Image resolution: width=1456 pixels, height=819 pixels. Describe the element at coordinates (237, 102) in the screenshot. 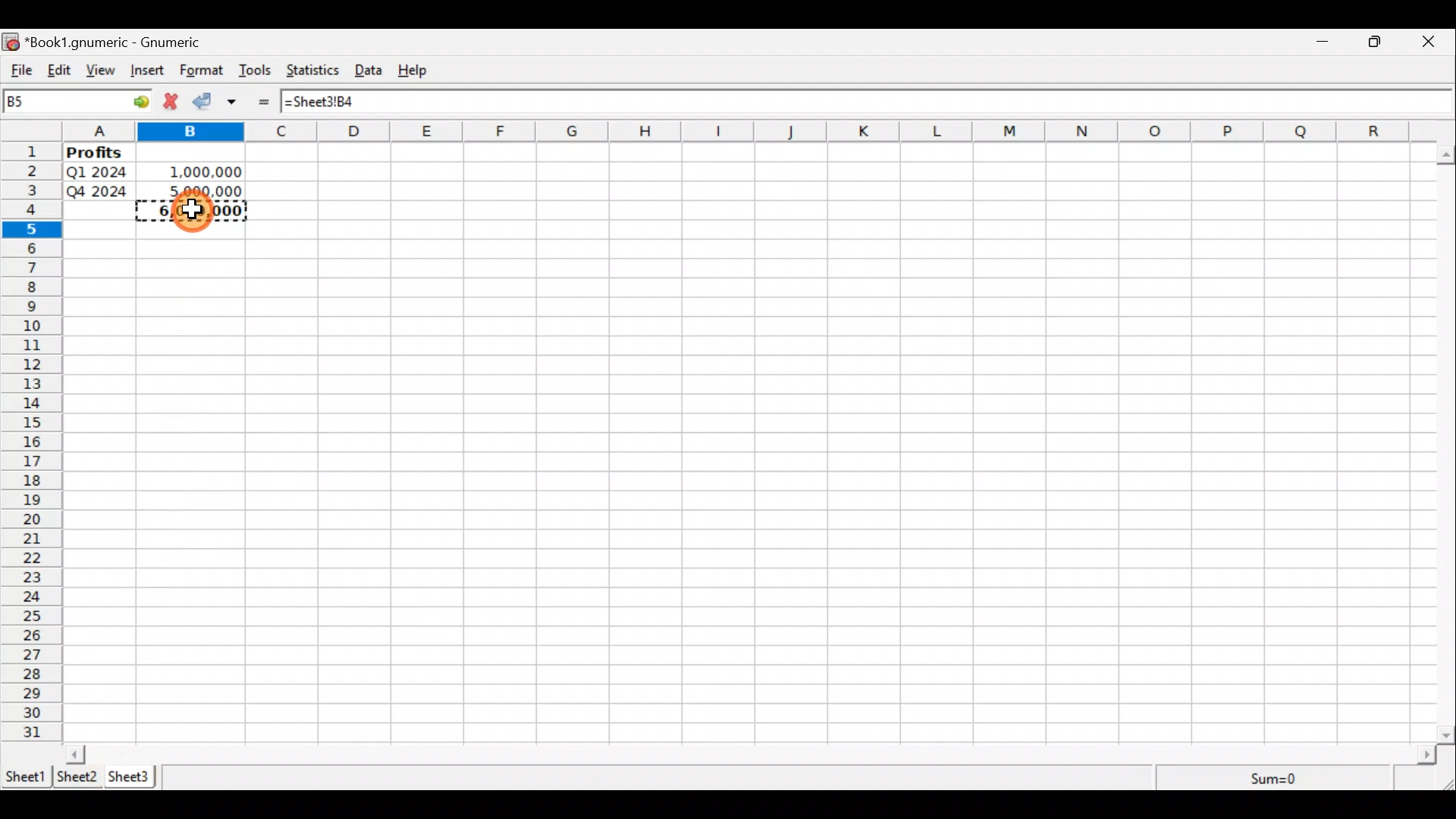

I see `Accept change in multiple cells` at that location.